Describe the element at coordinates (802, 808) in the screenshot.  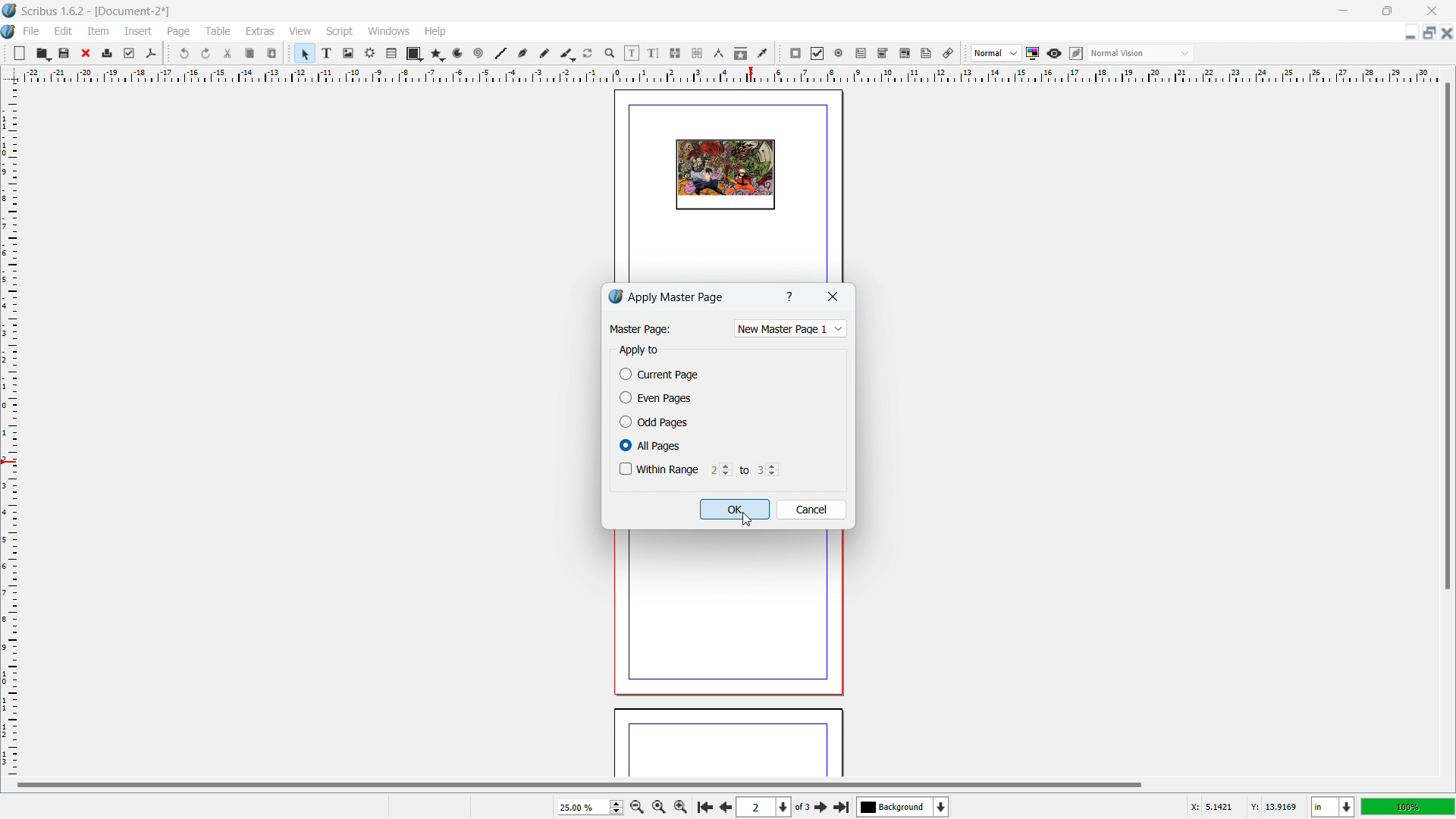
I see `of 3` at that location.